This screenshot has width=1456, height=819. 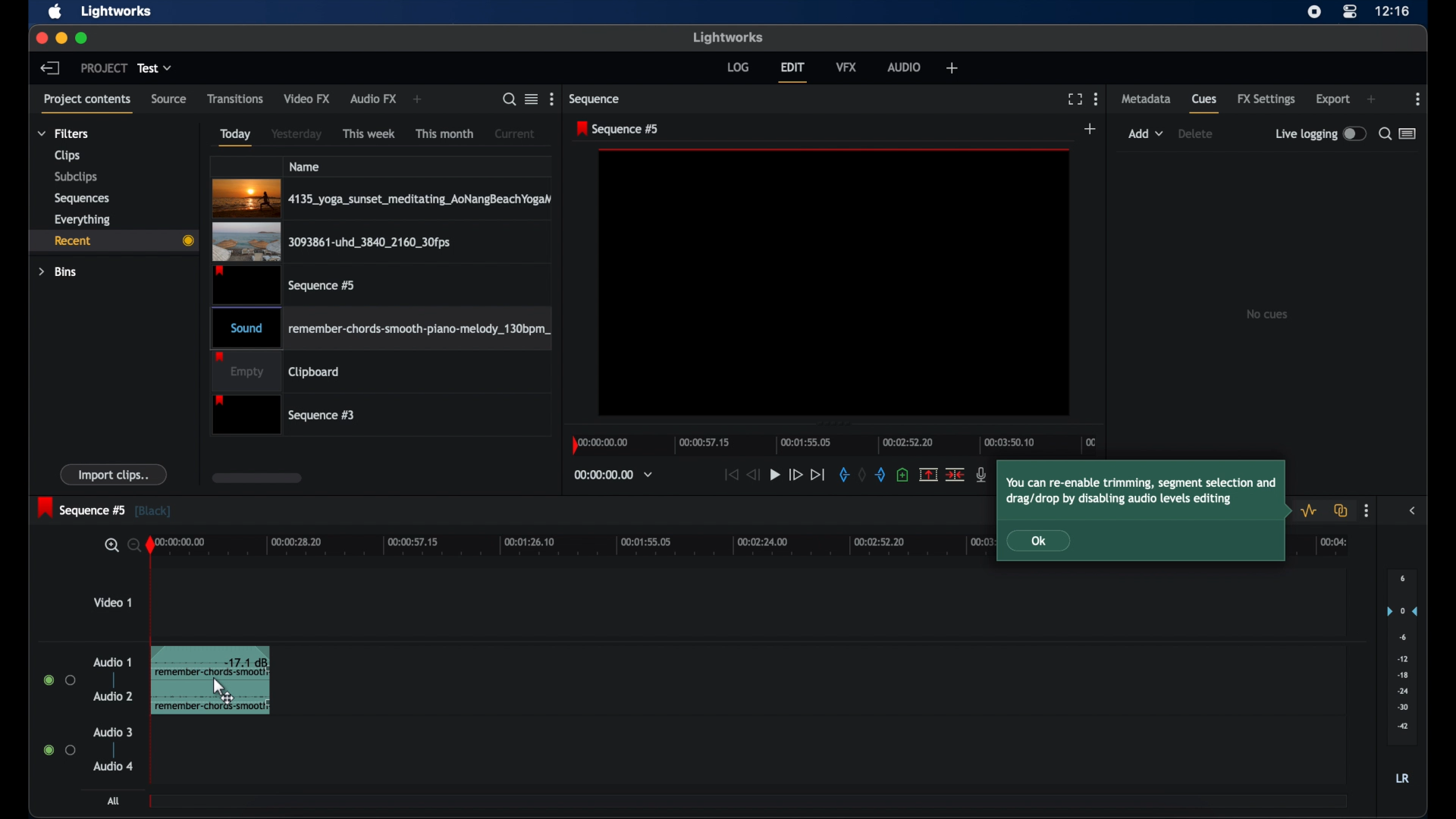 I want to click on edit, so click(x=792, y=72).